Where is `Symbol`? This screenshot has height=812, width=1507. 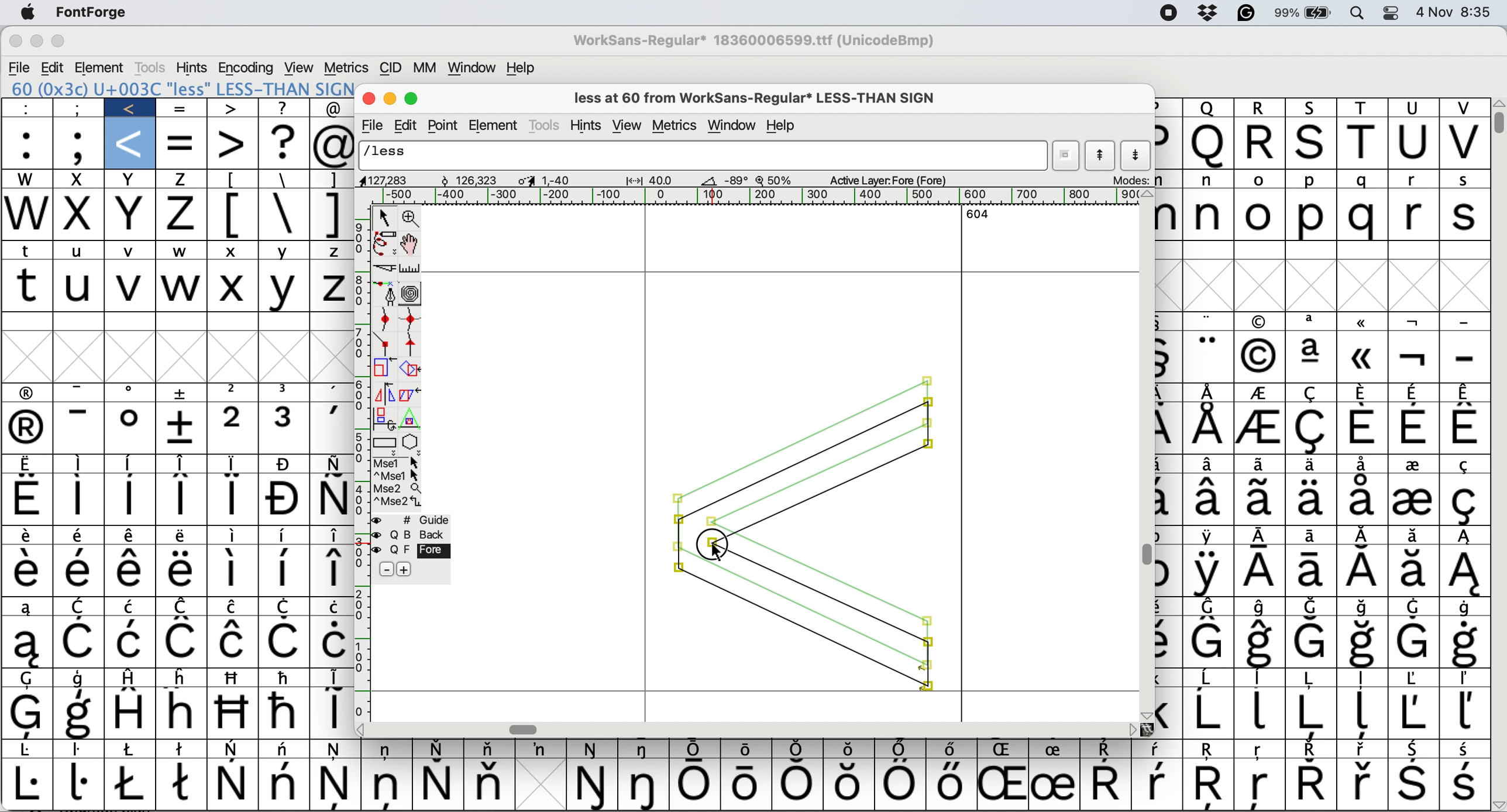 Symbol is located at coordinates (1054, 783).